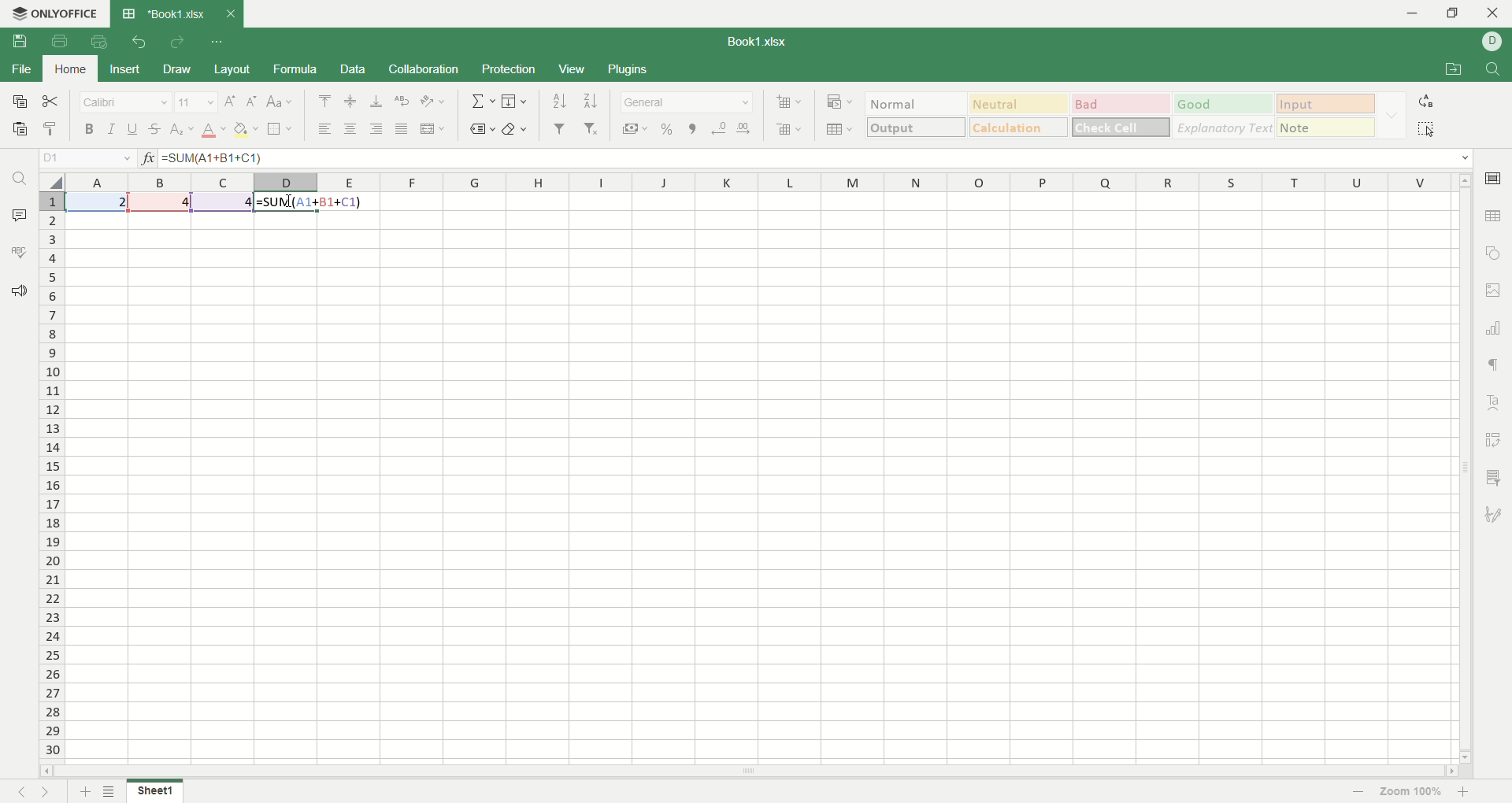  What do you see at coordinates (720, 128) in the screenshot?
I see `decrease decimal` at bounding box center [720, 128].